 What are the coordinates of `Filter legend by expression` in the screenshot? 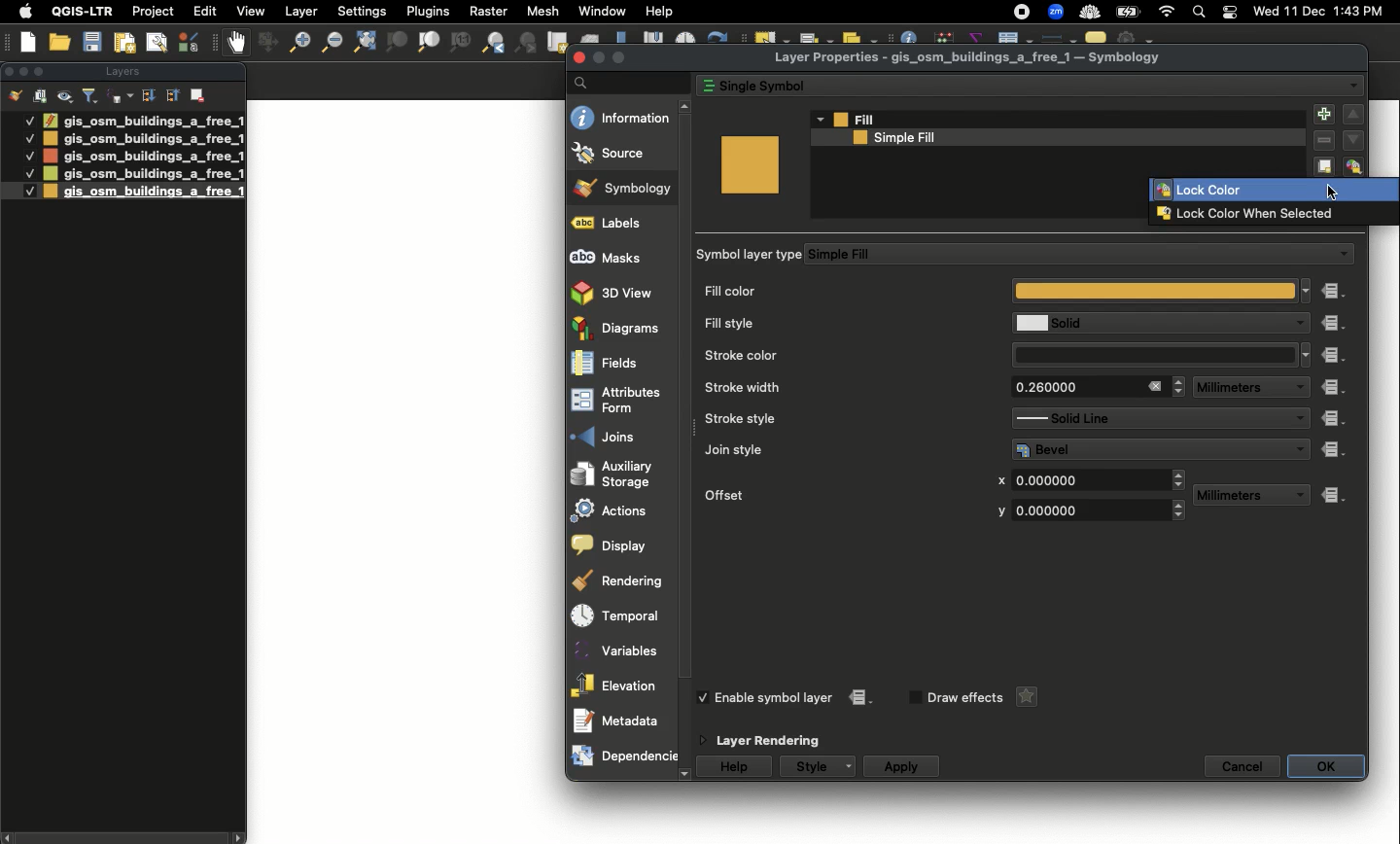 It's located at (121, 96).